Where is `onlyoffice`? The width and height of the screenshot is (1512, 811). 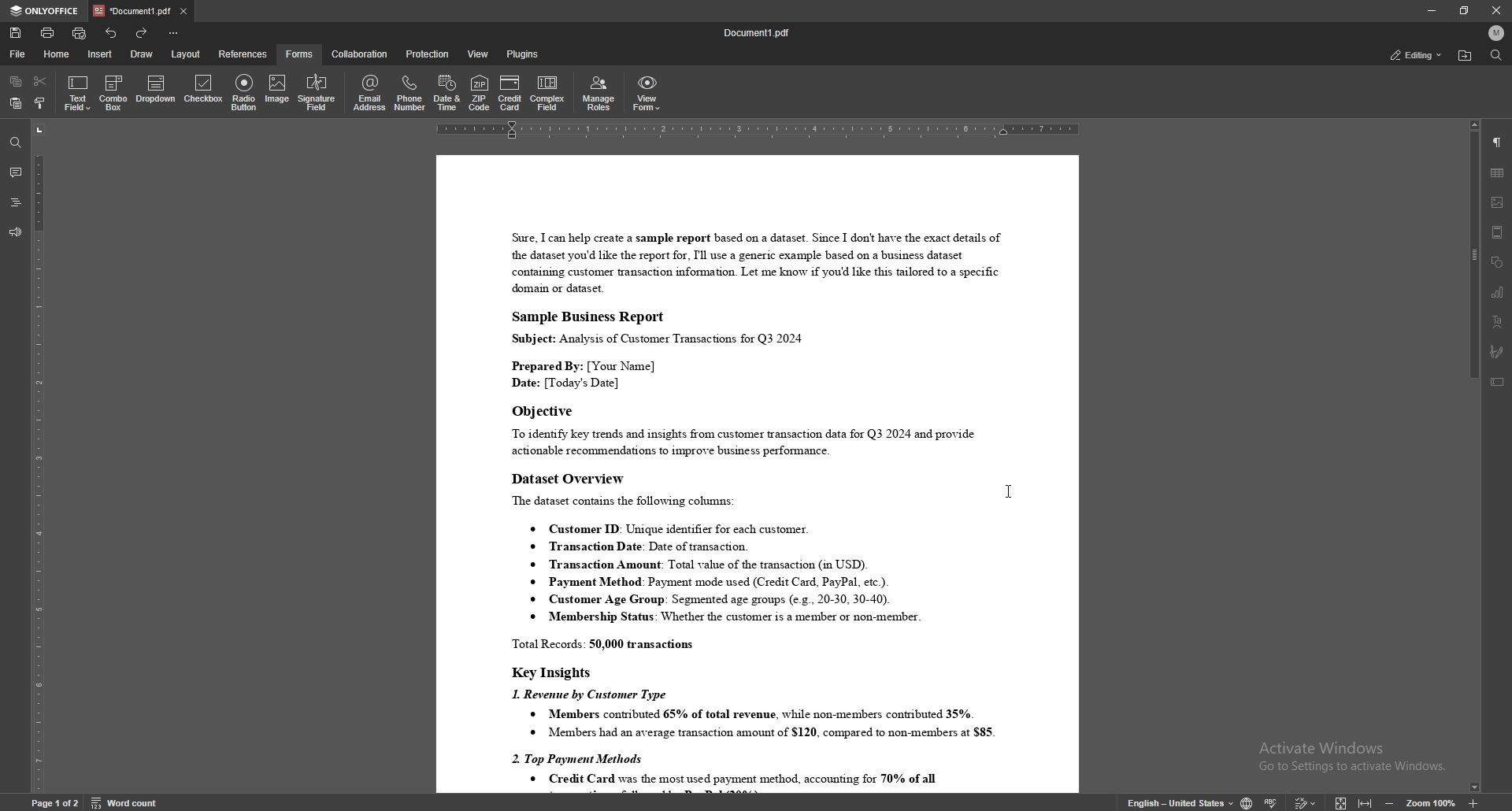 onlyoffice is located at coordinates (47, 11).